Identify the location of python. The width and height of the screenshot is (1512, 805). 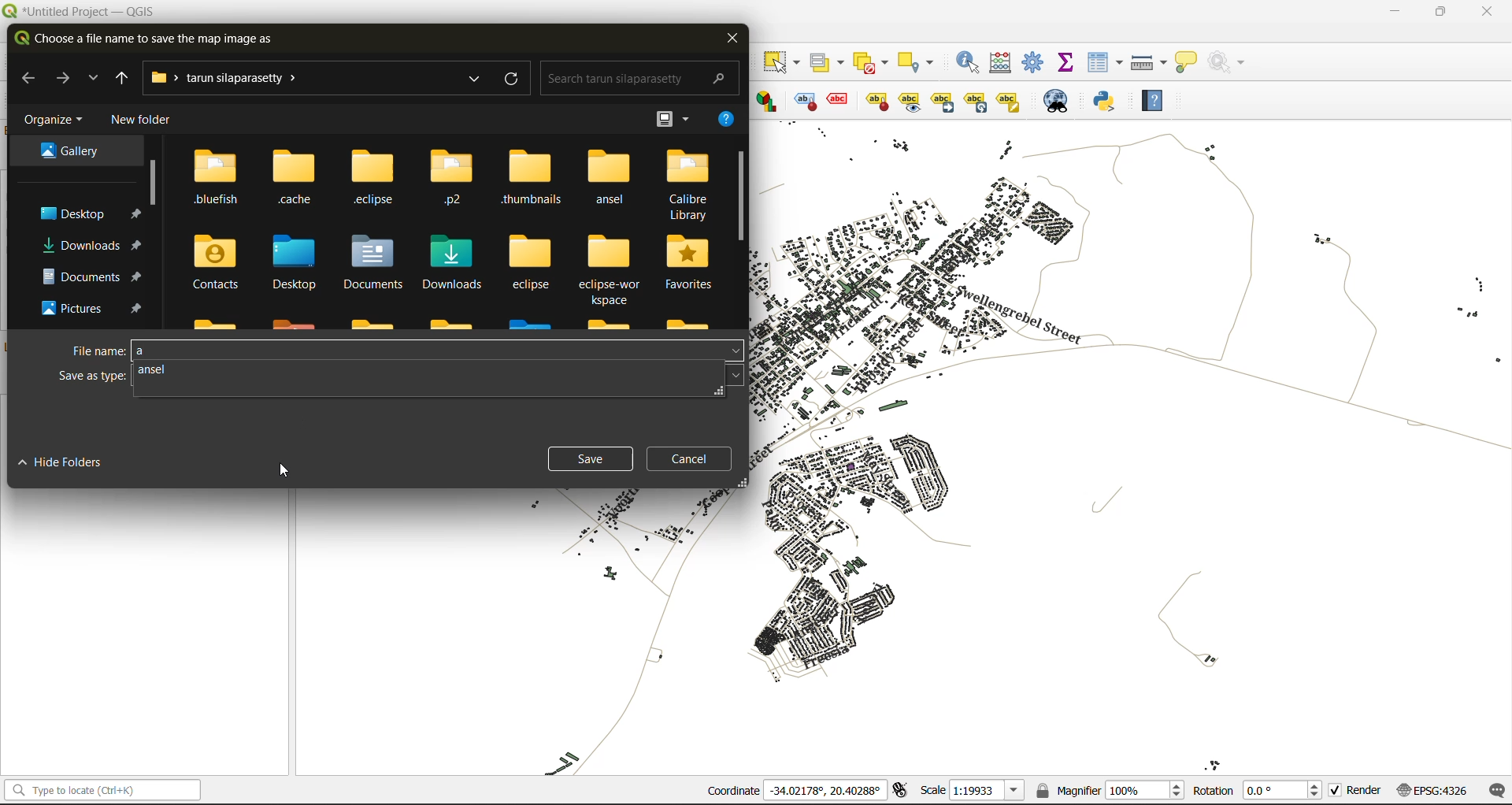
(1111, 102).